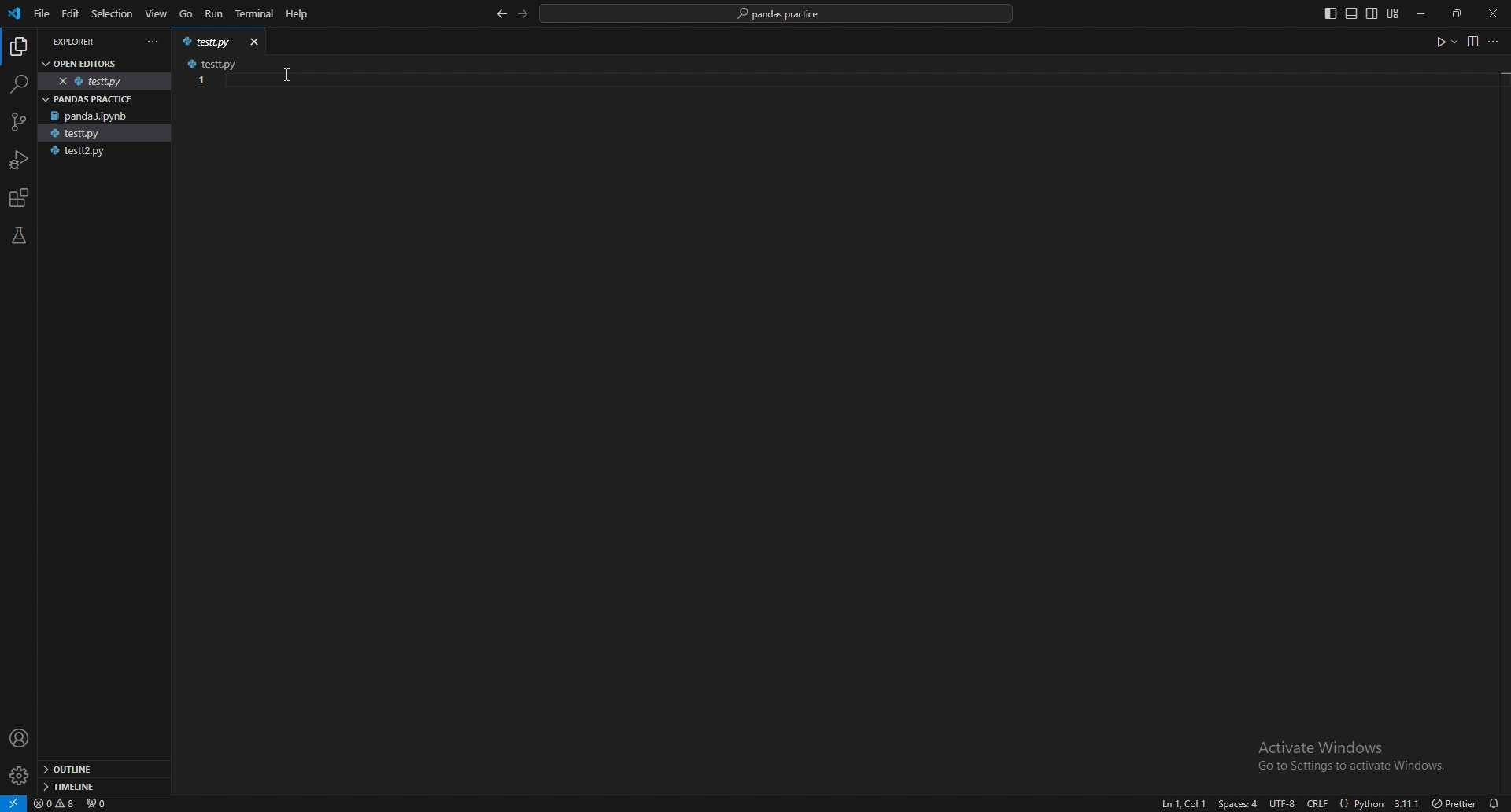  What do you see at coordinates (157, 14) in the screenshot?
I see `view` at bounding box center [157, 14].